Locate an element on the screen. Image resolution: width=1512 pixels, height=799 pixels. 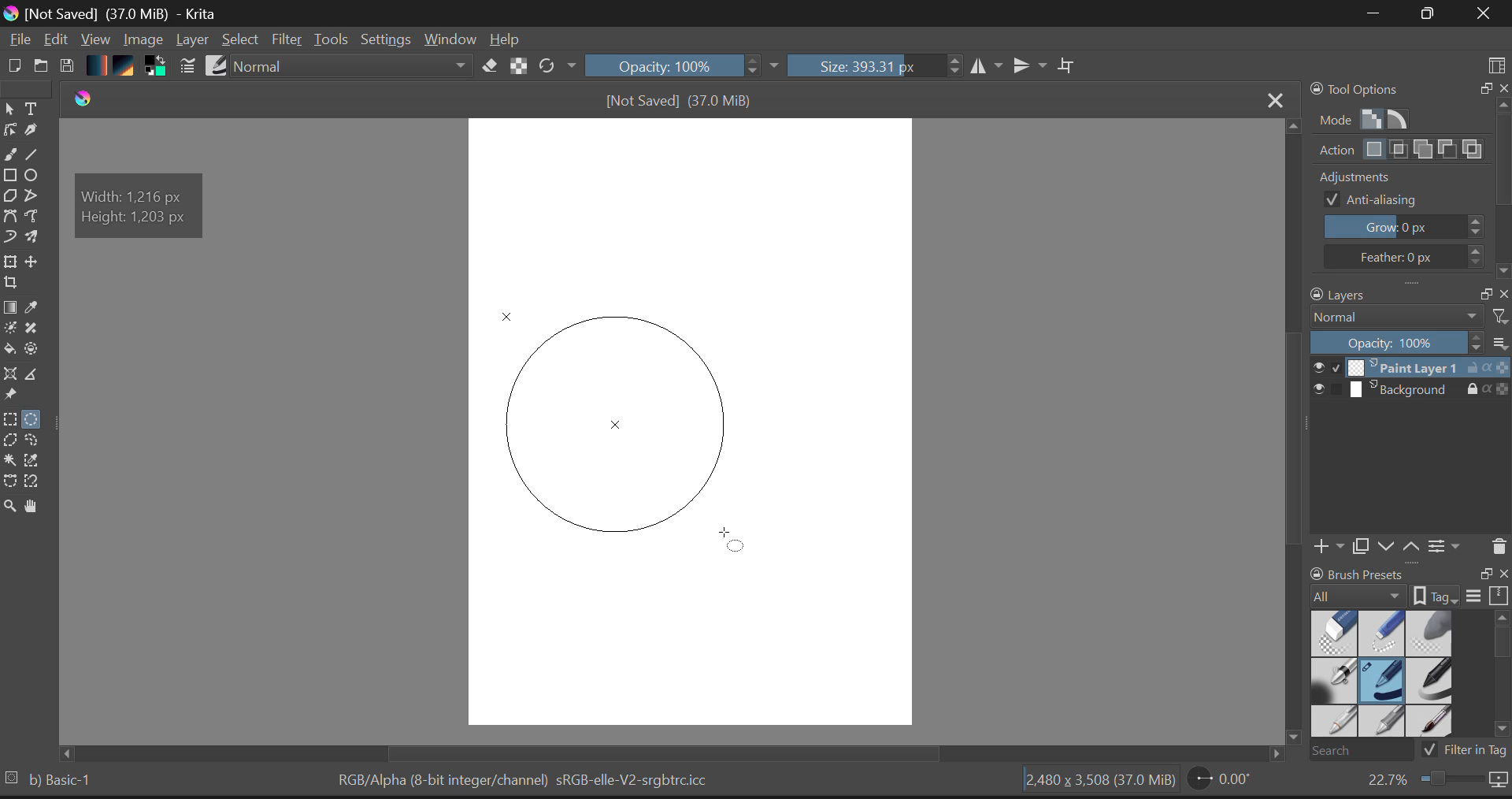
Calligraphic Tool is located at coordinates (31, 133).